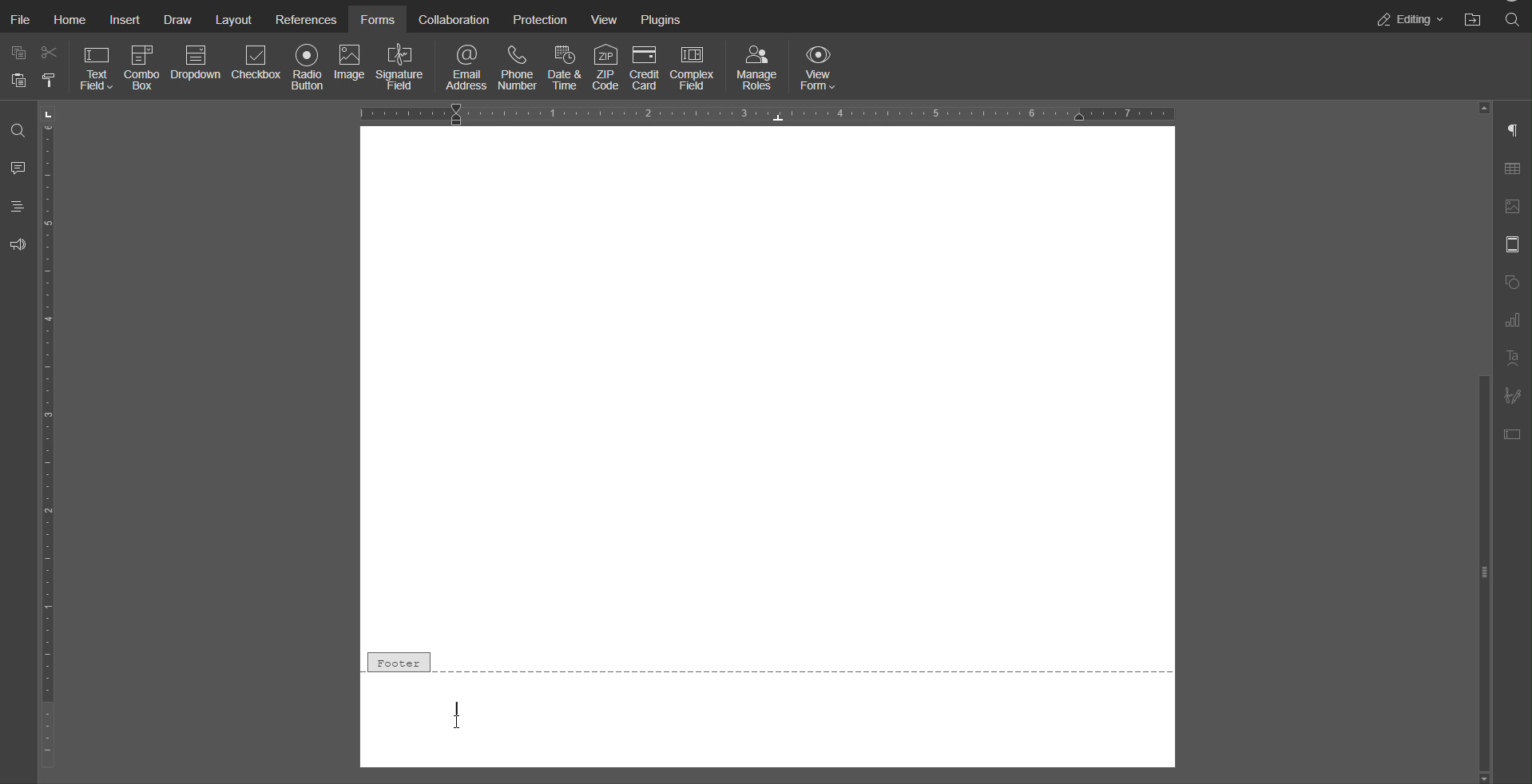 The height and width of the screenshot is (784, 1532). Describe the element at coordinates (308, 69) in the screenshot. I see `Radio Button` at that location.